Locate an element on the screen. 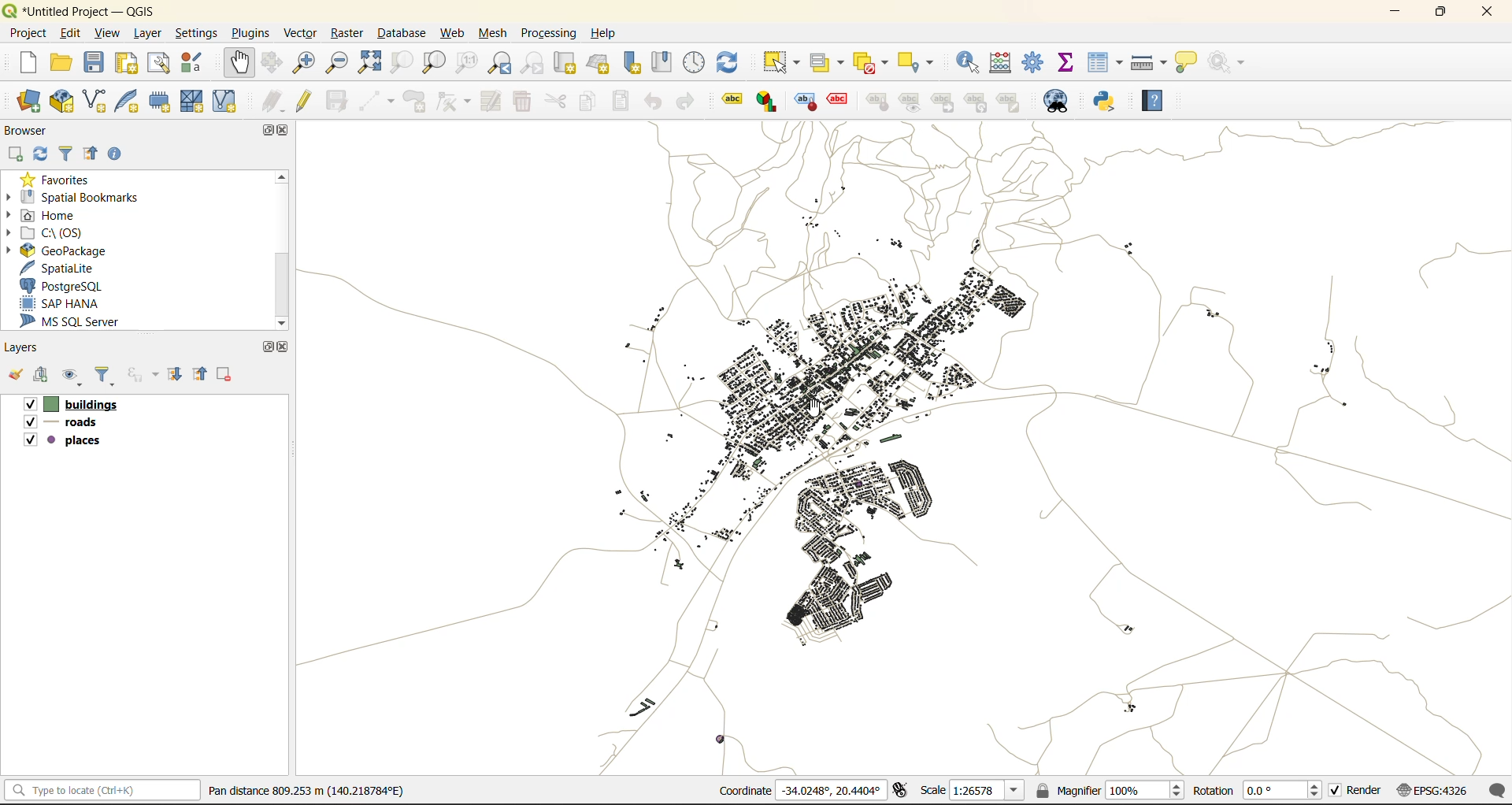 The width and height of the screenshot is (1512, 805). ms sql server is located at coordinates (78, 321).